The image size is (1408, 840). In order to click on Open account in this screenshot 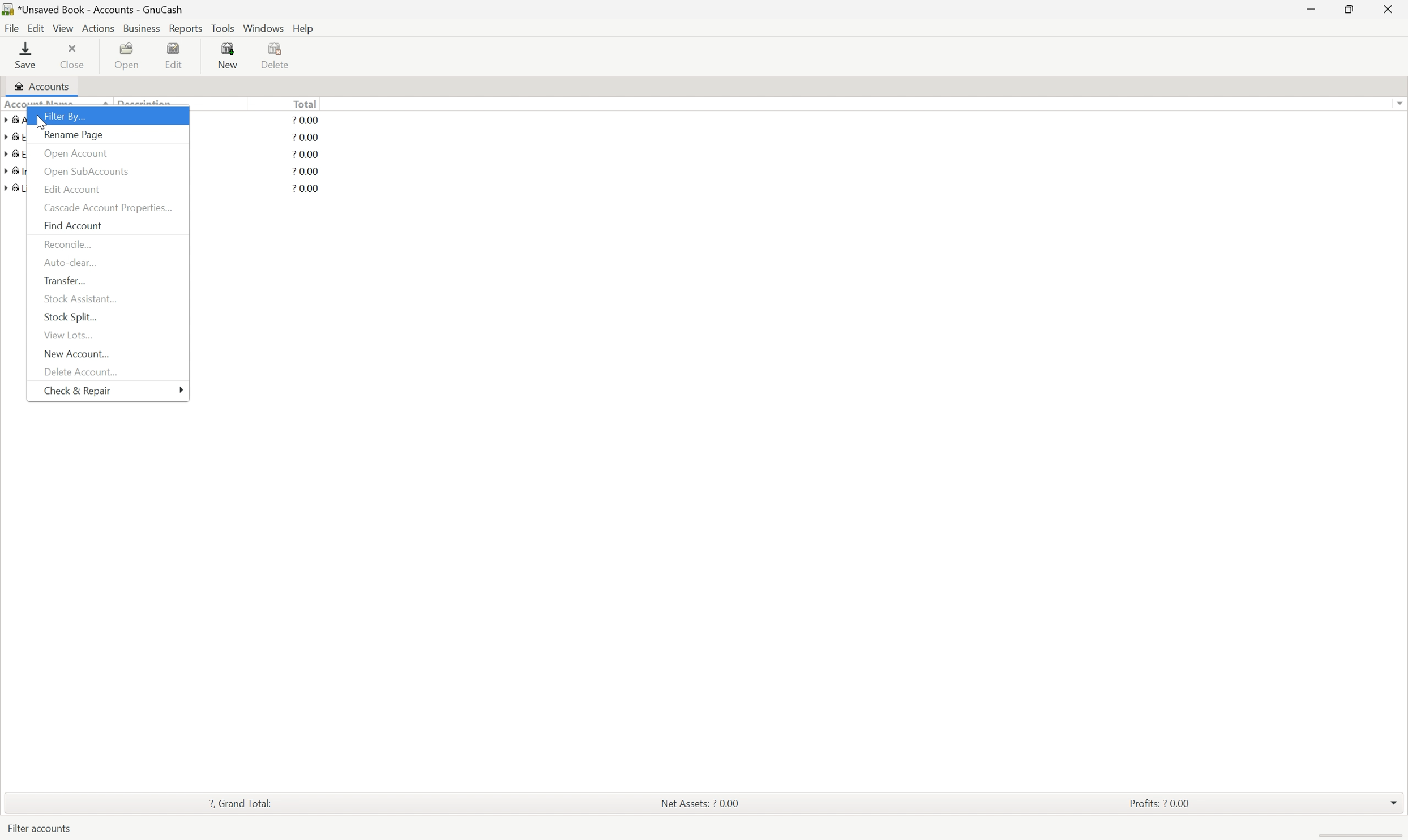, I will do `click(73, 153)`.